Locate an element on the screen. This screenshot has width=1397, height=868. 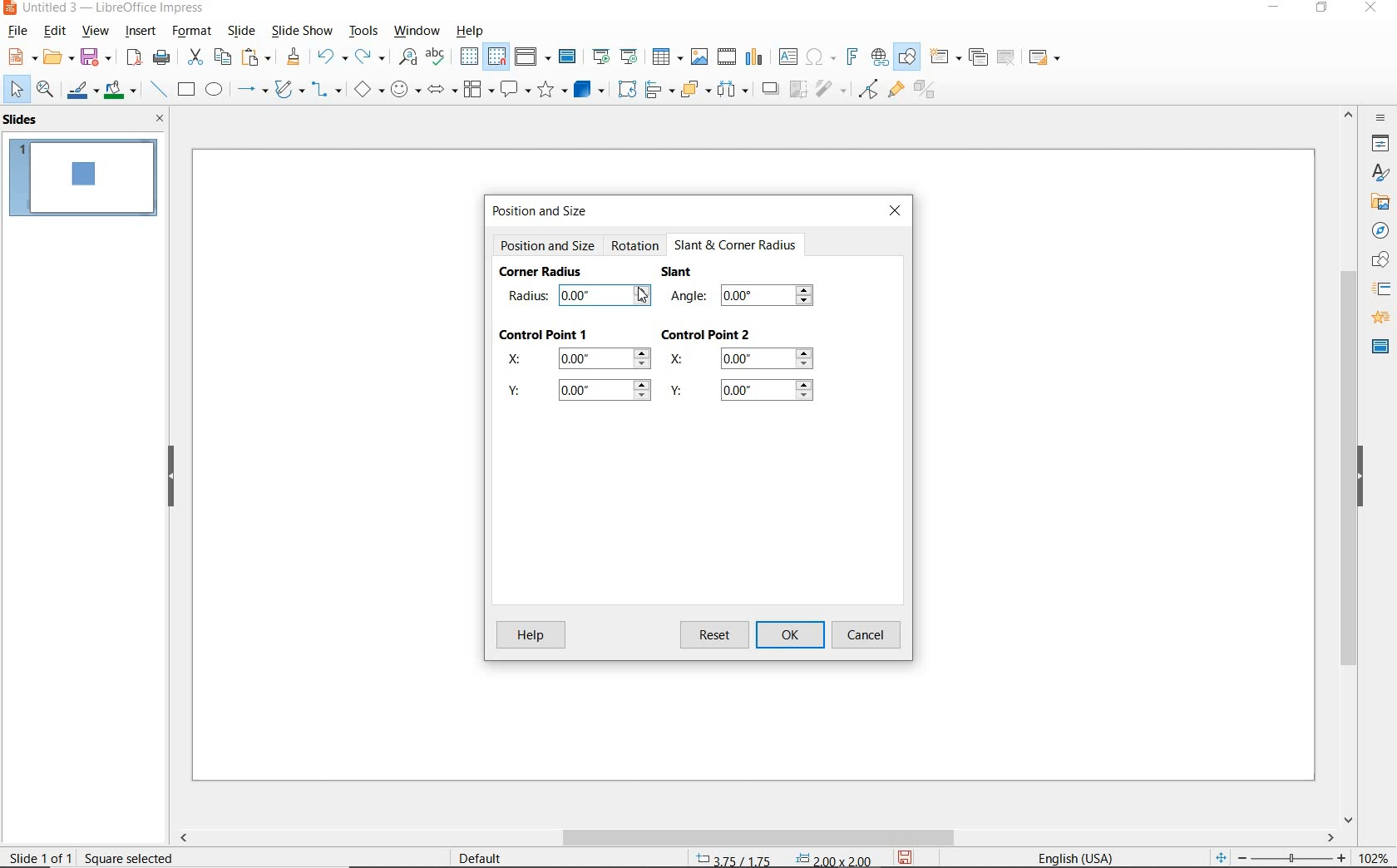
insert is located at coordinates (143, 32).